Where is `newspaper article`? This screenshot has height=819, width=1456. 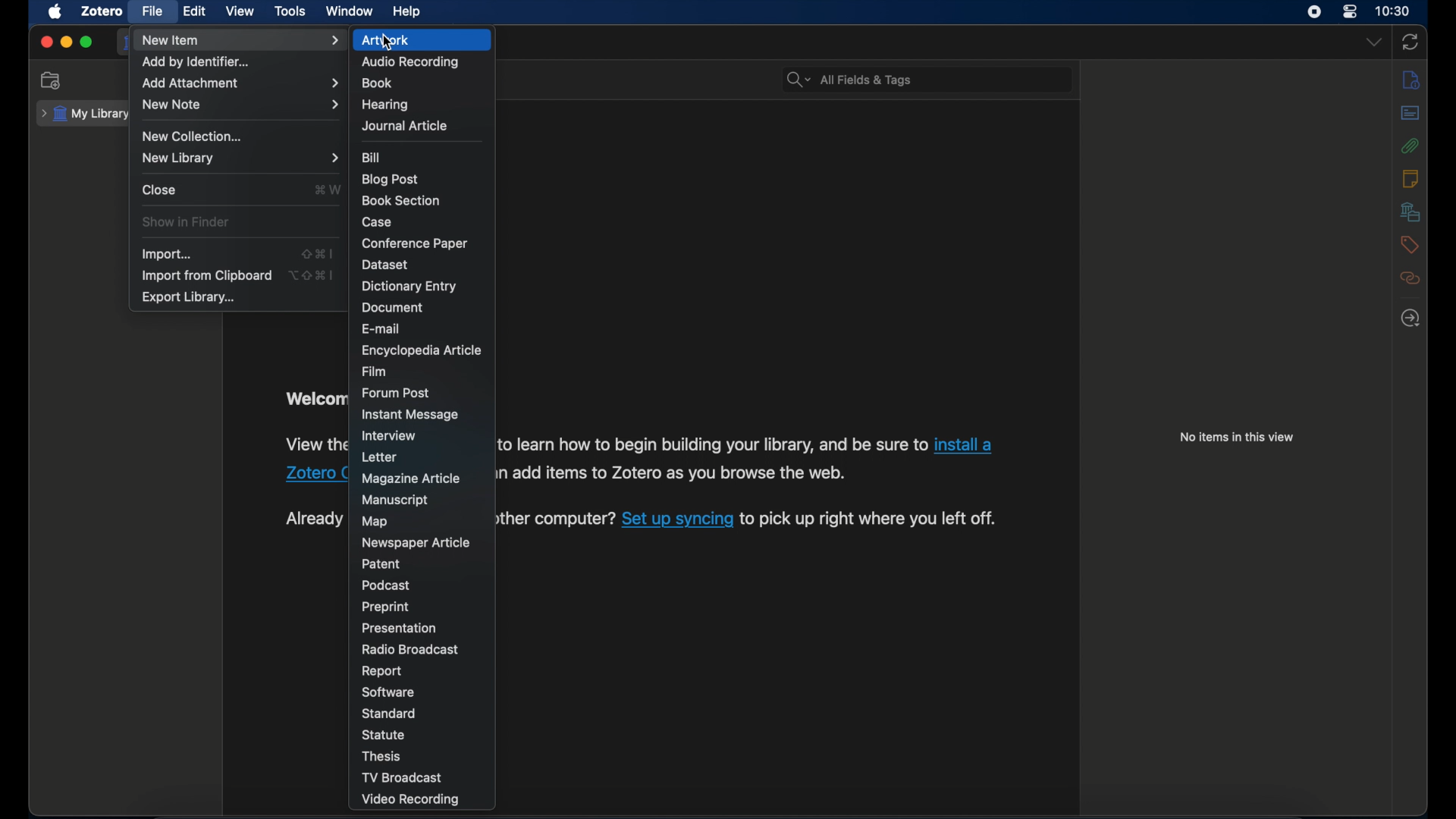
newspaper article is located at coordinates (415, 542).